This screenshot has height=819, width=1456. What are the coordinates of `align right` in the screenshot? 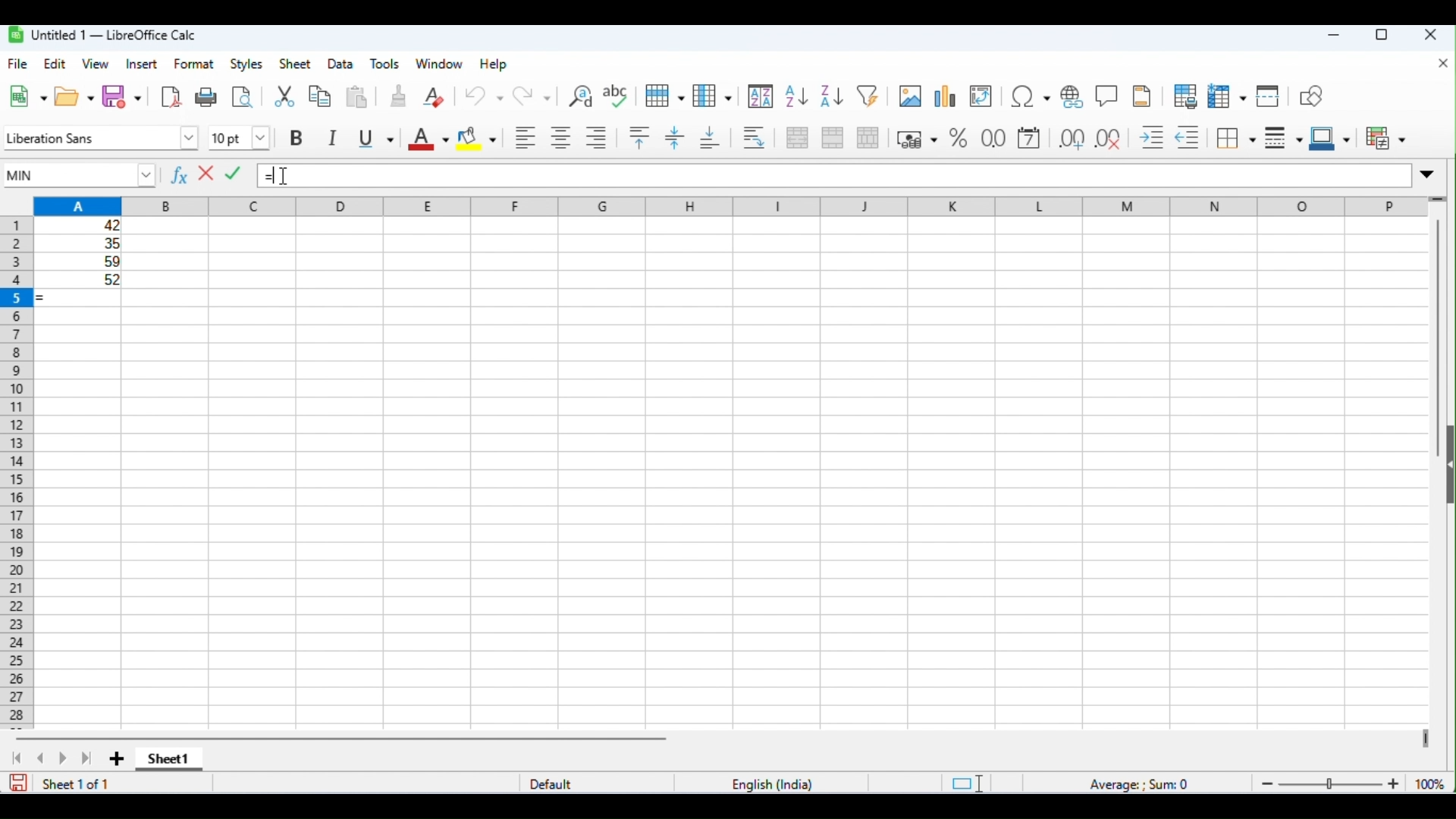 It's located at (596, 136).